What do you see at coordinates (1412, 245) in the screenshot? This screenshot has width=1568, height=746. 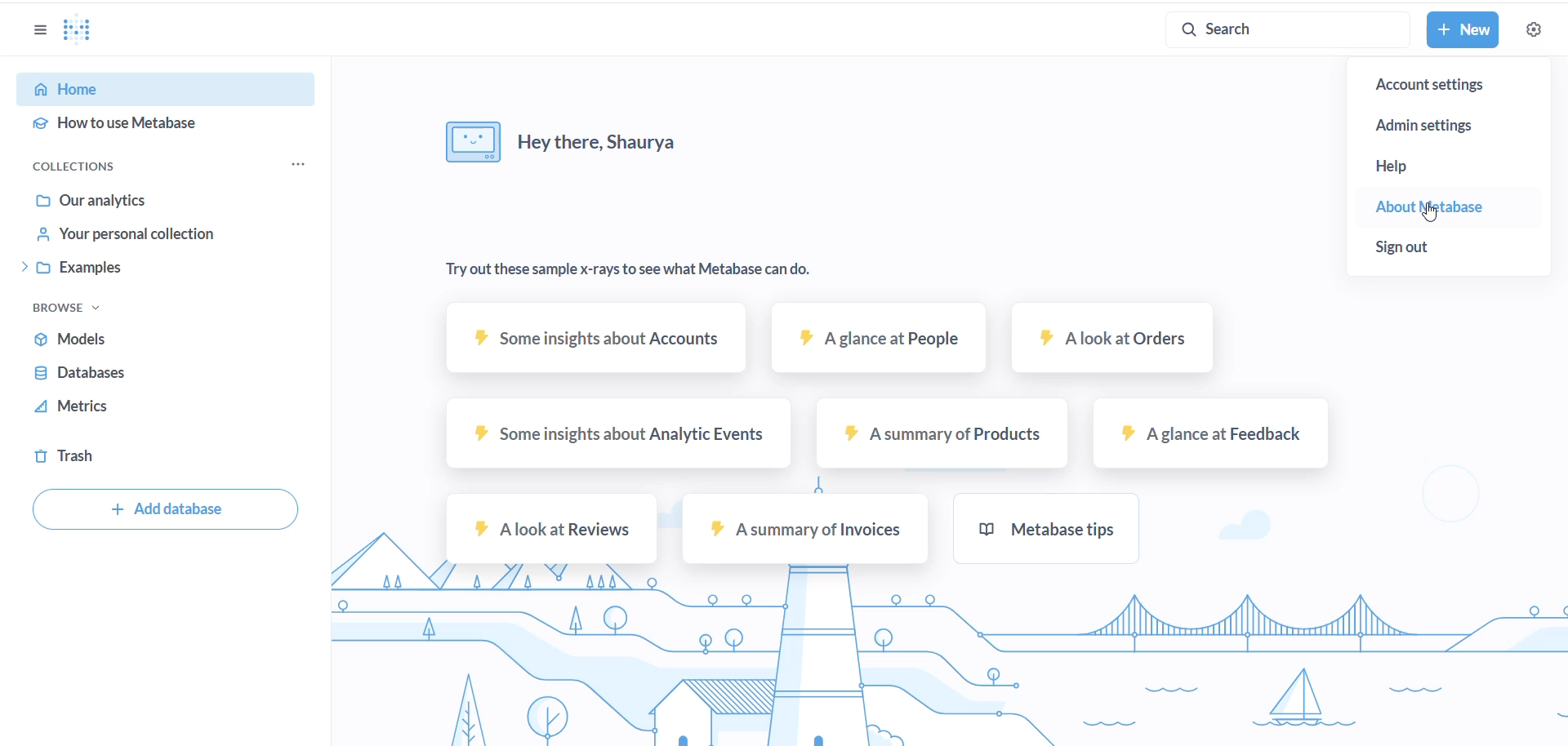 I see `sign out` at bounding box center [1412, 245].